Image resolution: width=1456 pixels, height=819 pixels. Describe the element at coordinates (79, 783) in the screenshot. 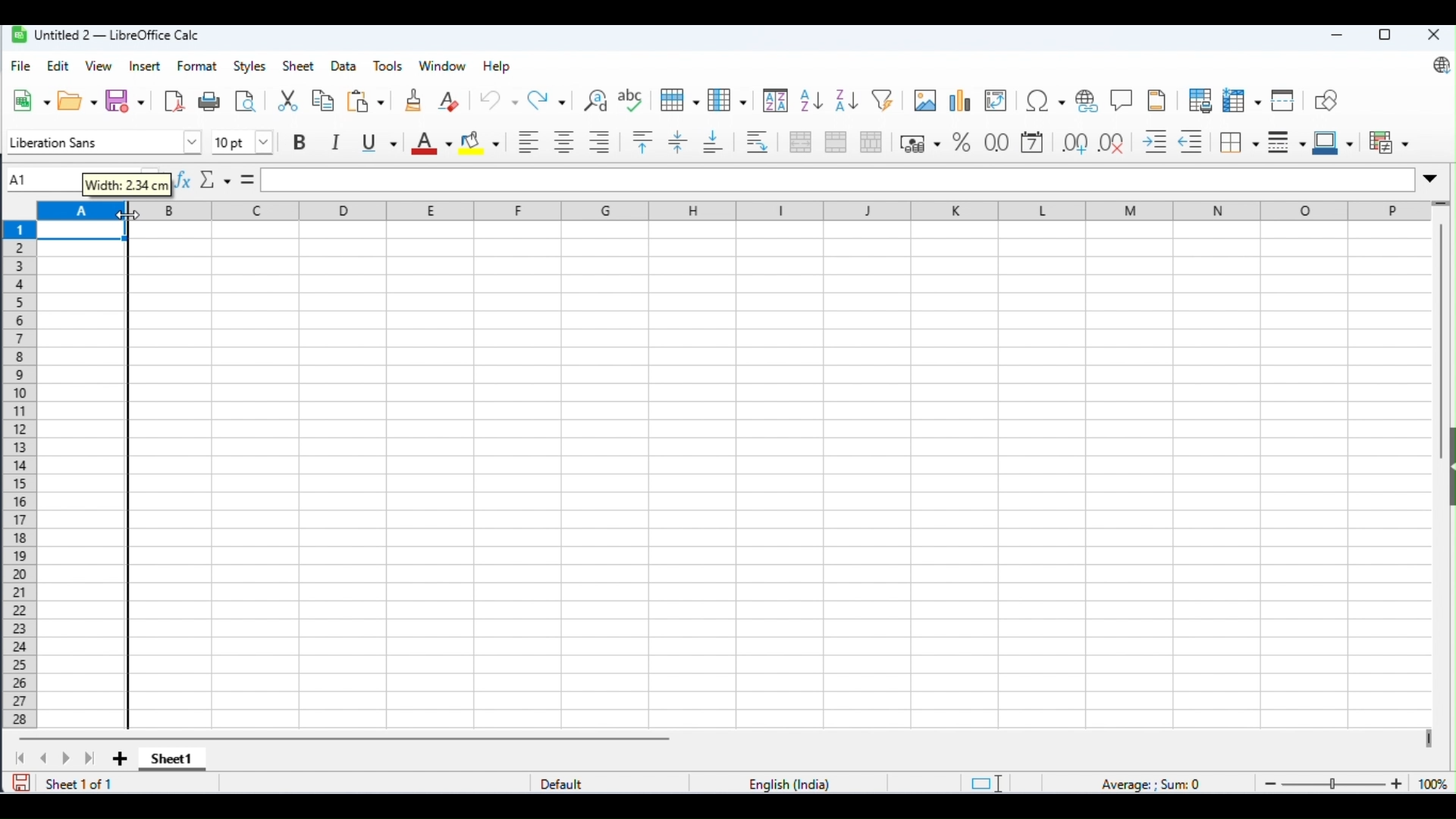

I see `sheet 1 of 1` at that location.